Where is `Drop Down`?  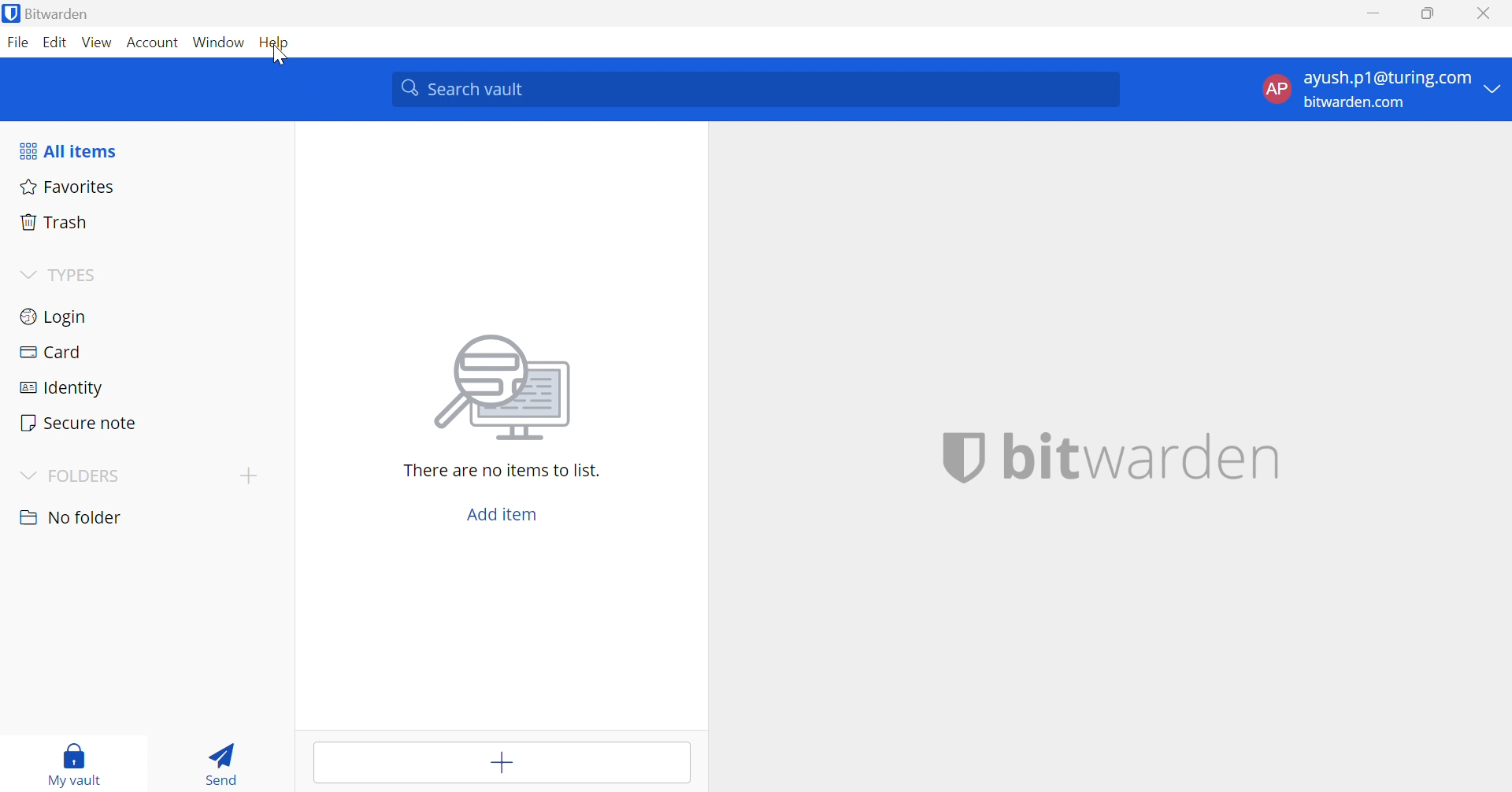 Drop Down is located at coordinates (26, 476).